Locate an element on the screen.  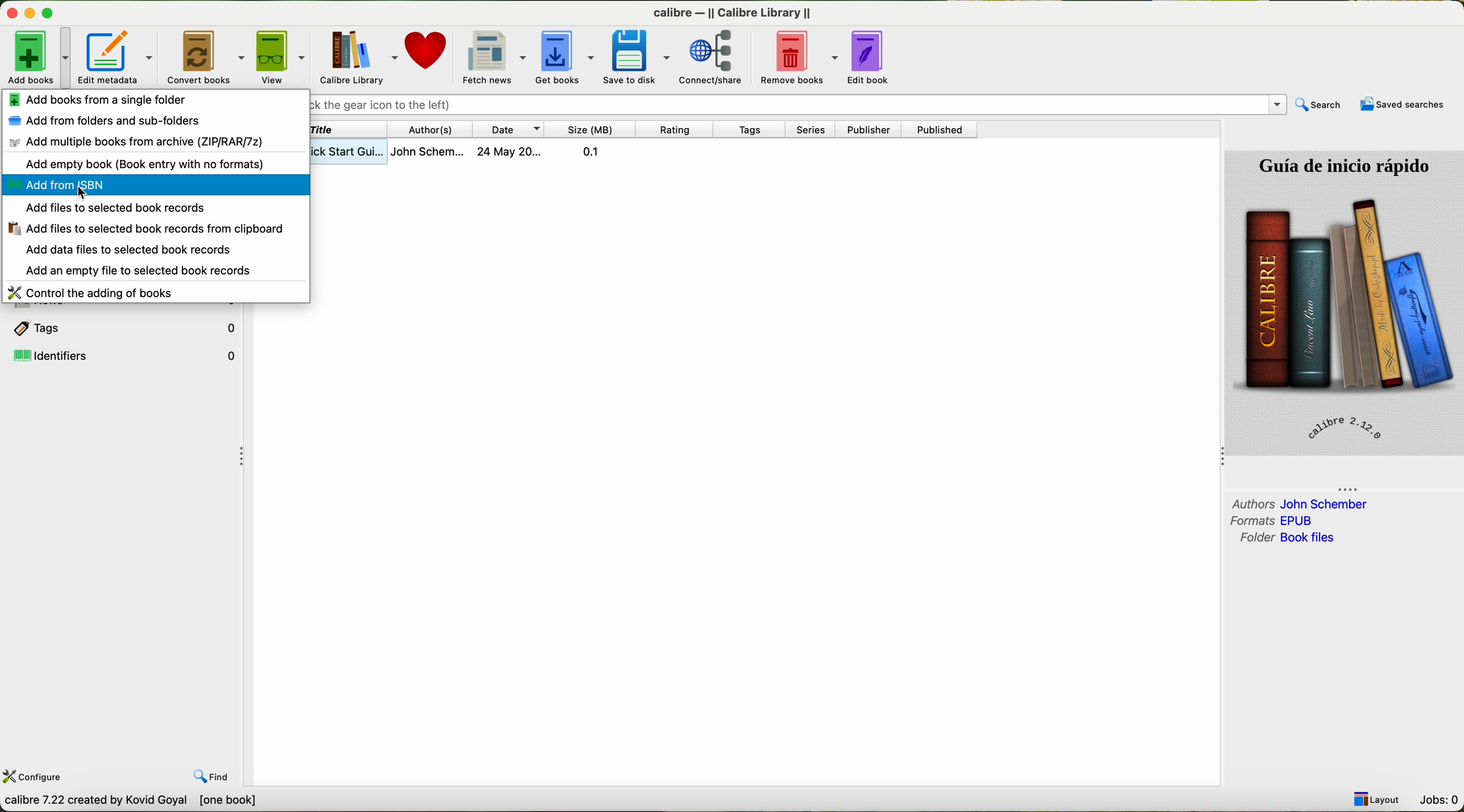
save to disk is located at coordinates (639, 56).